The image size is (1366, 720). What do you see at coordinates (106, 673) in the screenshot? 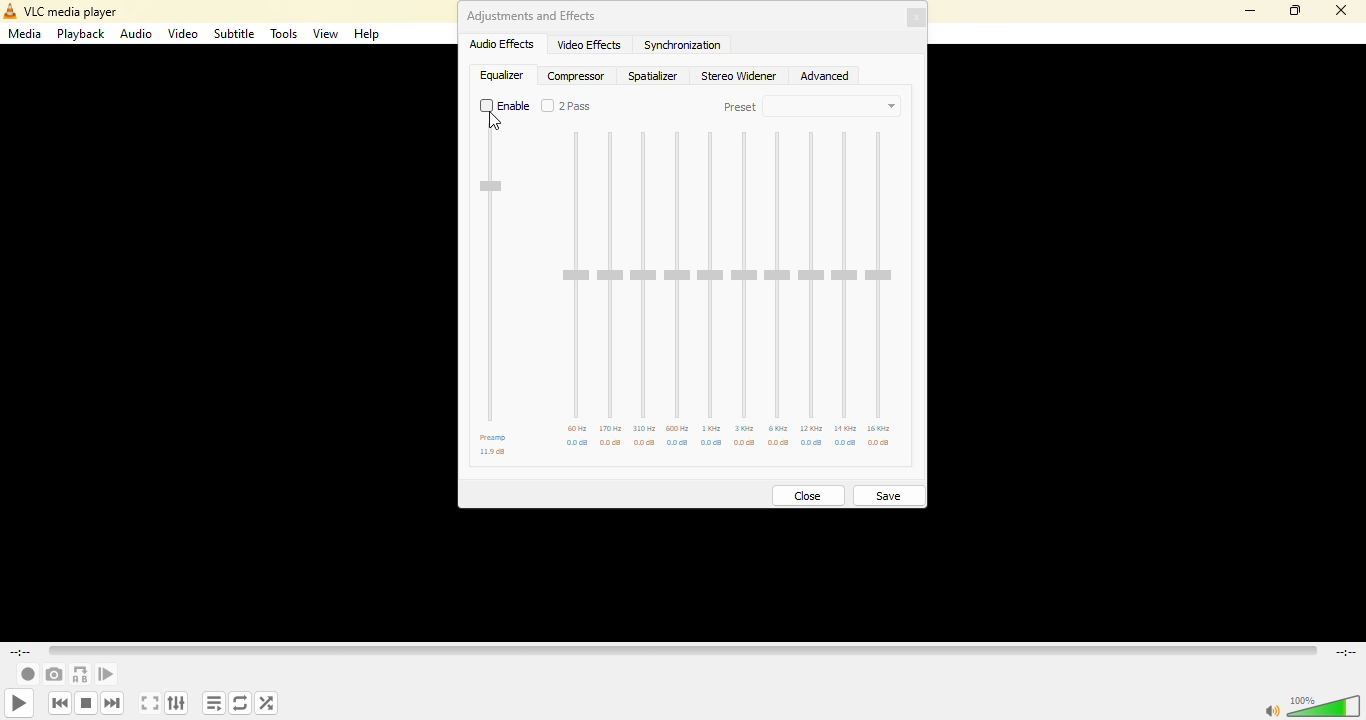
I see `frame by frame` at bounding box center [106, 673].